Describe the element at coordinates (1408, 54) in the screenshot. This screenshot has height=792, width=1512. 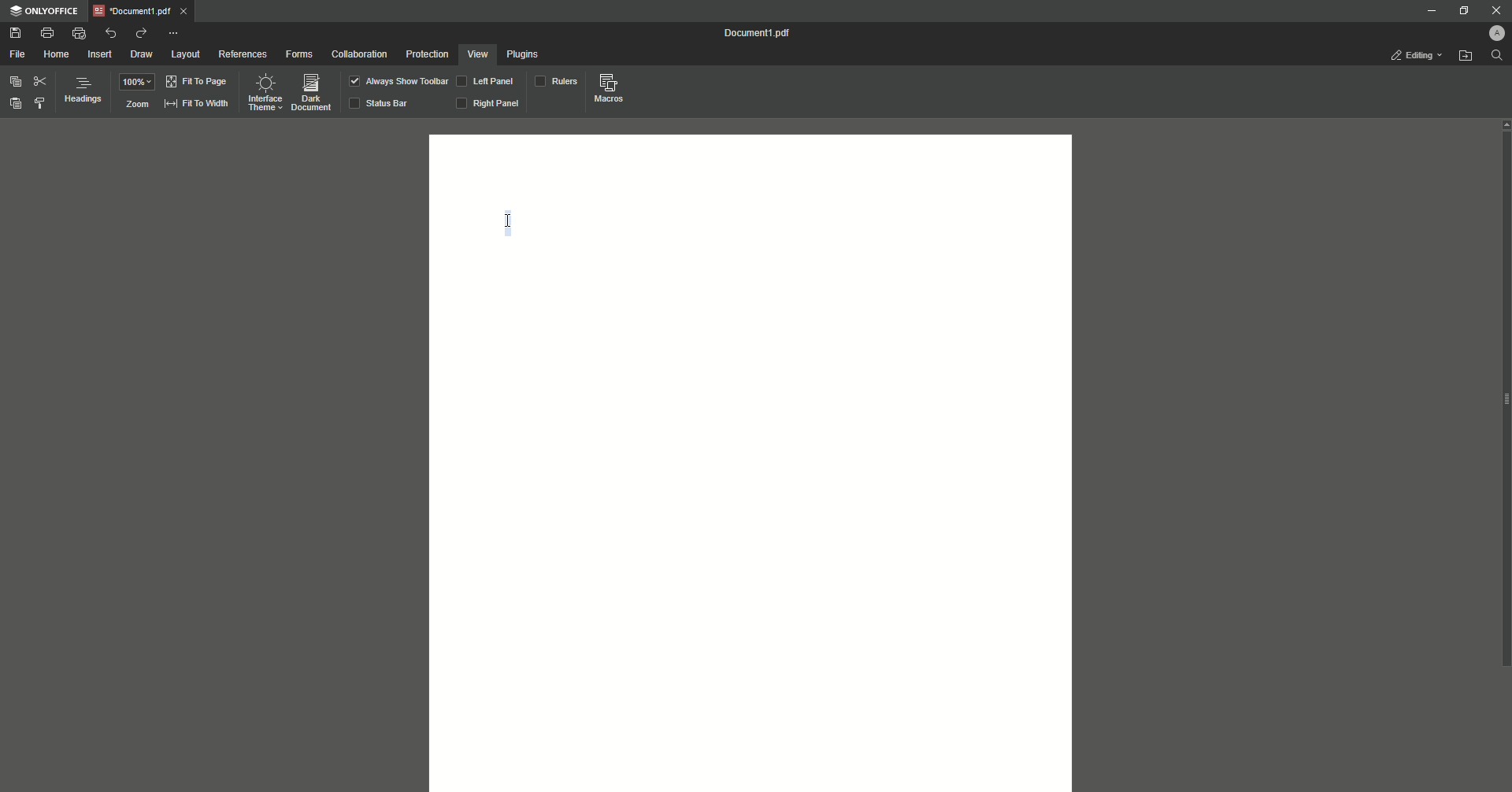
I see `Editing` at that location.